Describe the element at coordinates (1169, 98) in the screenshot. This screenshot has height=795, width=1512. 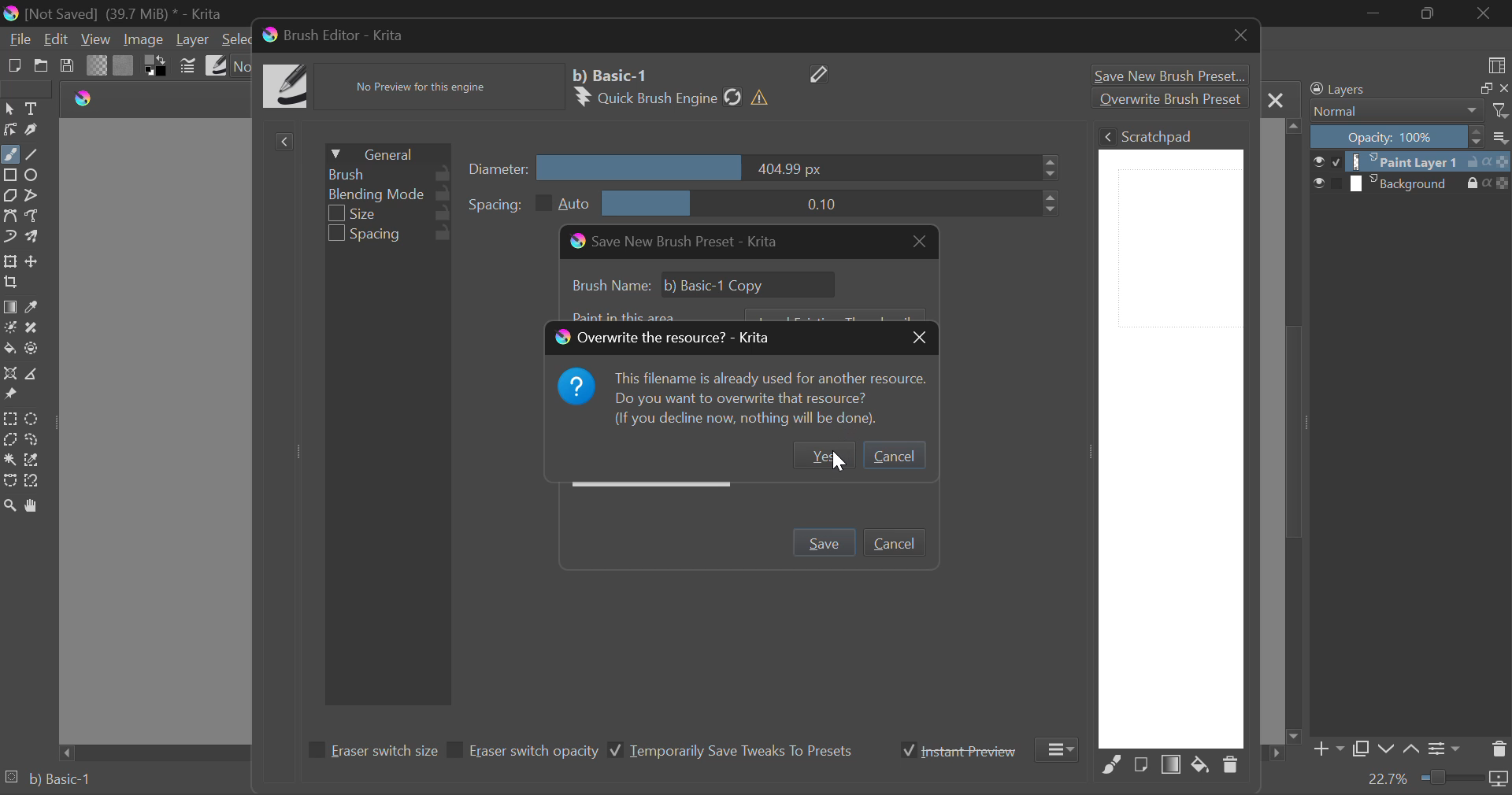
I see `Overwrite Brush Preset` at that location.